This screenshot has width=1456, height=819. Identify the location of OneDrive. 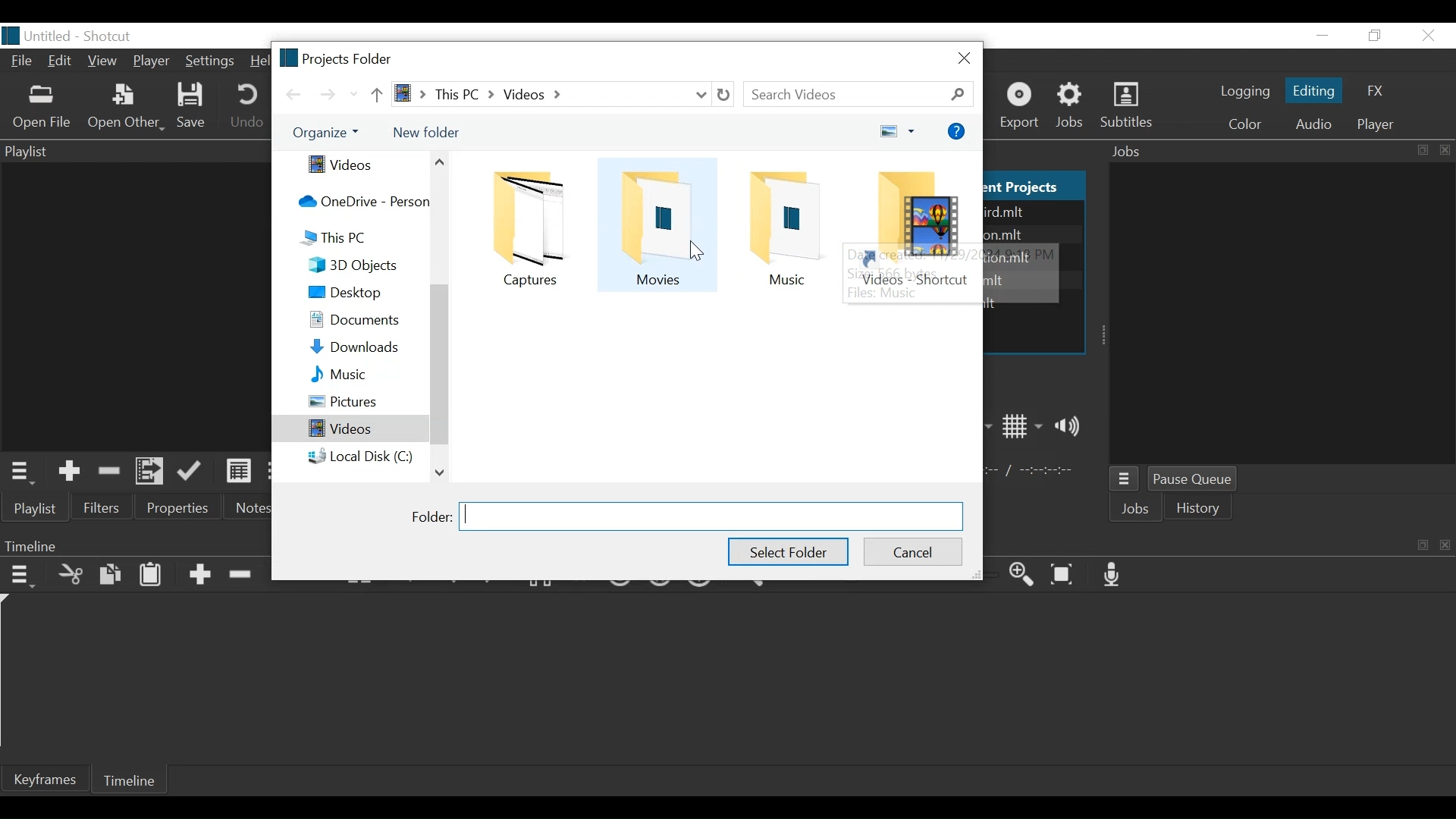
(361, 200).